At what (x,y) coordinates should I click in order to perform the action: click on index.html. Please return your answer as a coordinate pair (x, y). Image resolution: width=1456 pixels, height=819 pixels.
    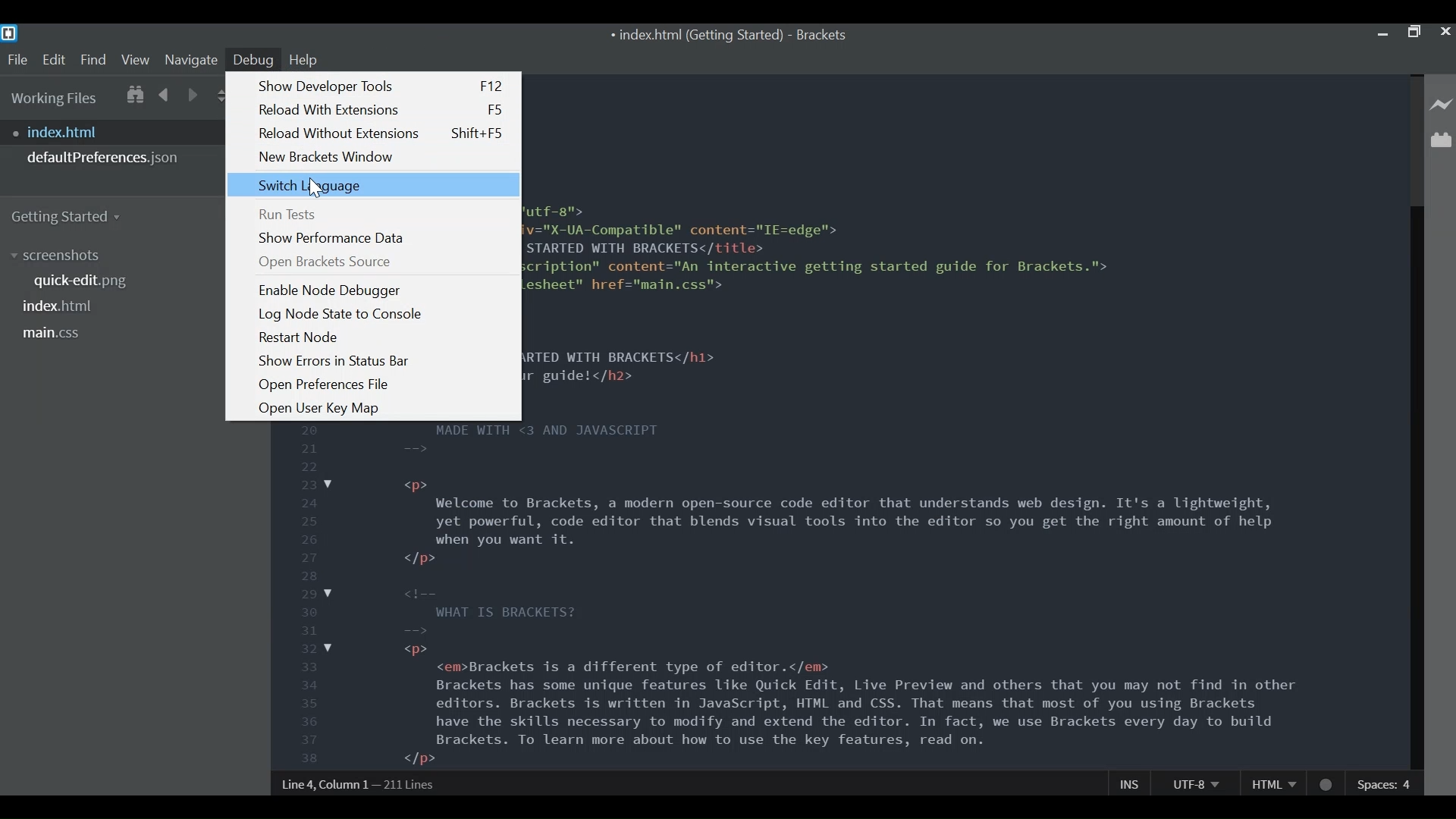
    Looking at the image, I should click on (103, 132).